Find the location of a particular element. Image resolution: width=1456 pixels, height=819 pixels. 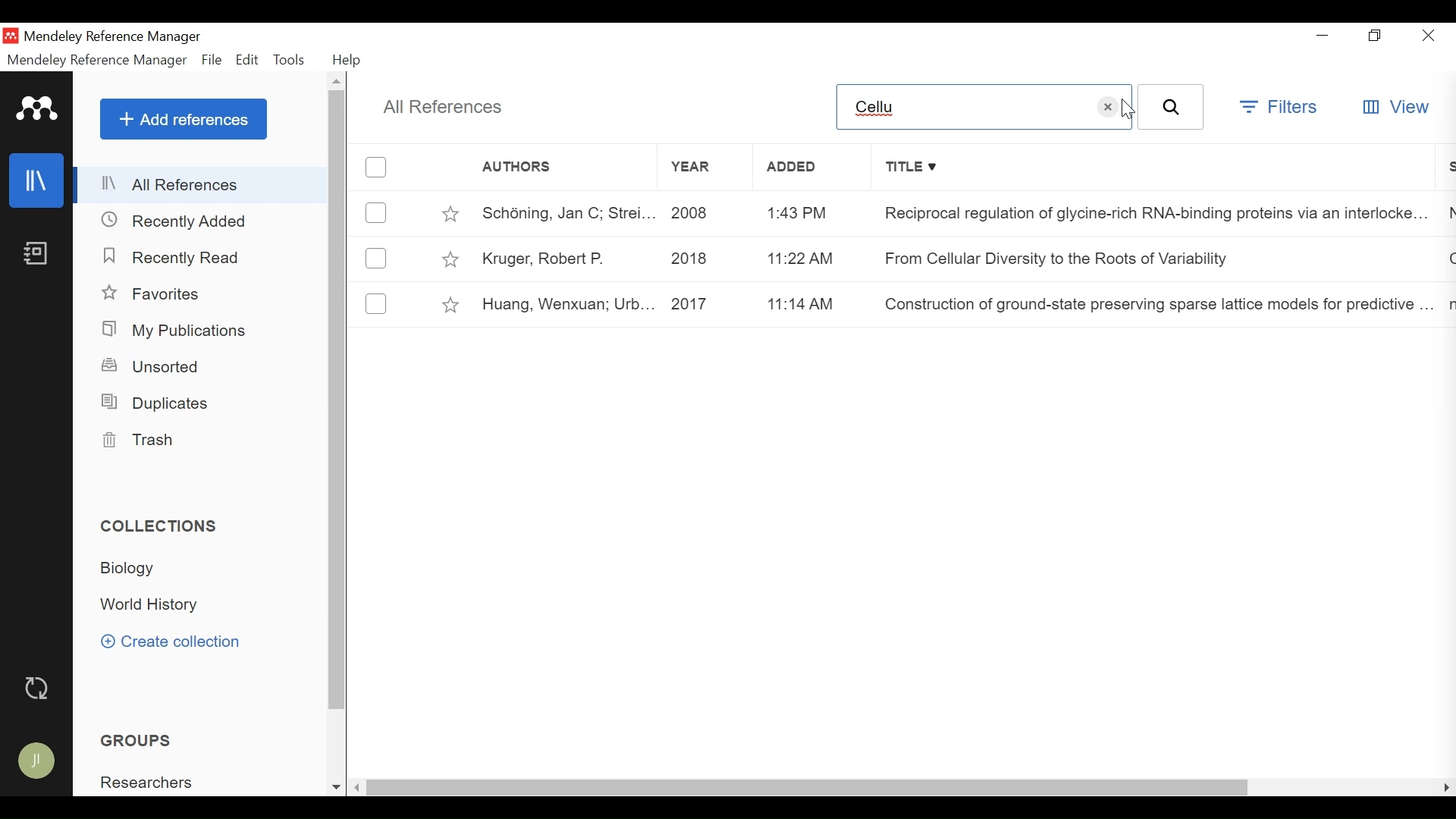

Search Bar is located at coordinates (962, 106).